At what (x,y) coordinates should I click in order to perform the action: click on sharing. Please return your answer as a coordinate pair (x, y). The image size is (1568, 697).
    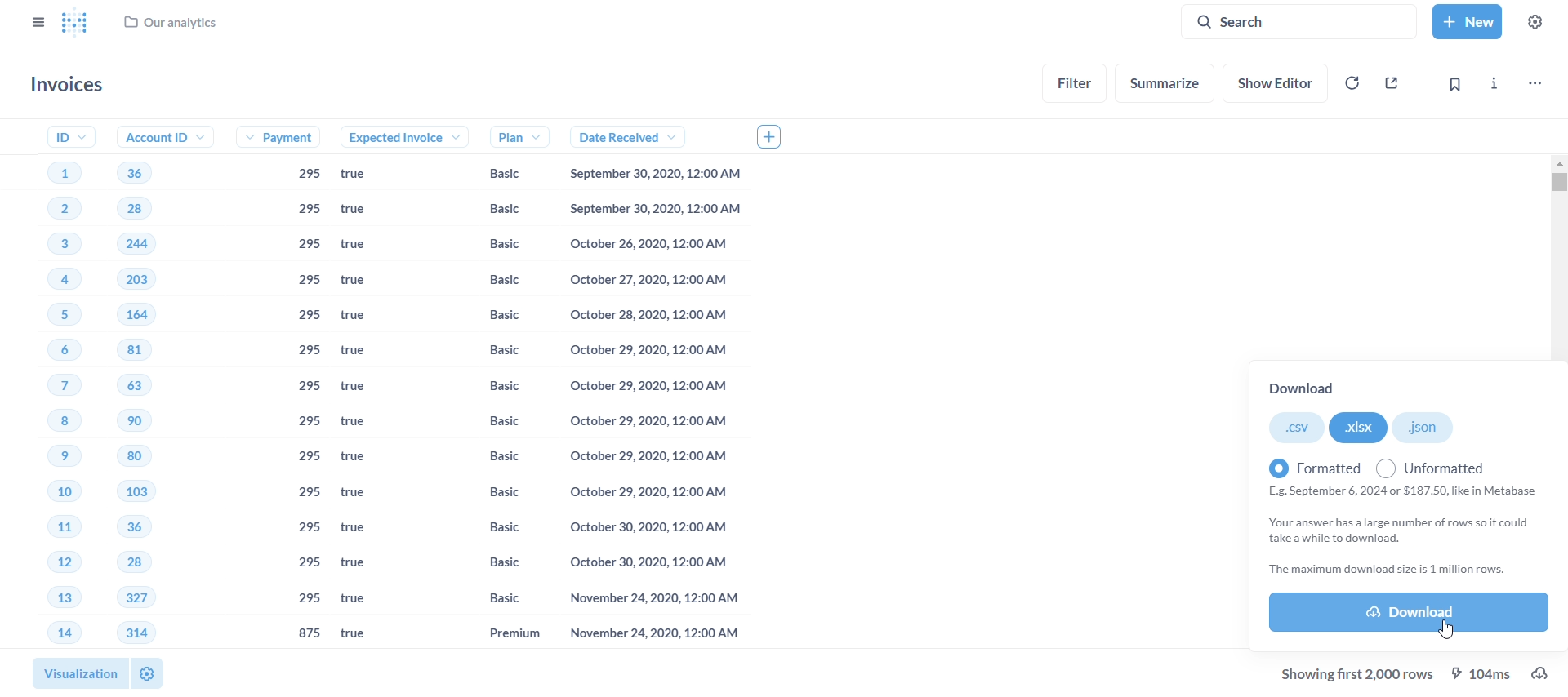
    Looking at the image, I should click on (1393, 81).